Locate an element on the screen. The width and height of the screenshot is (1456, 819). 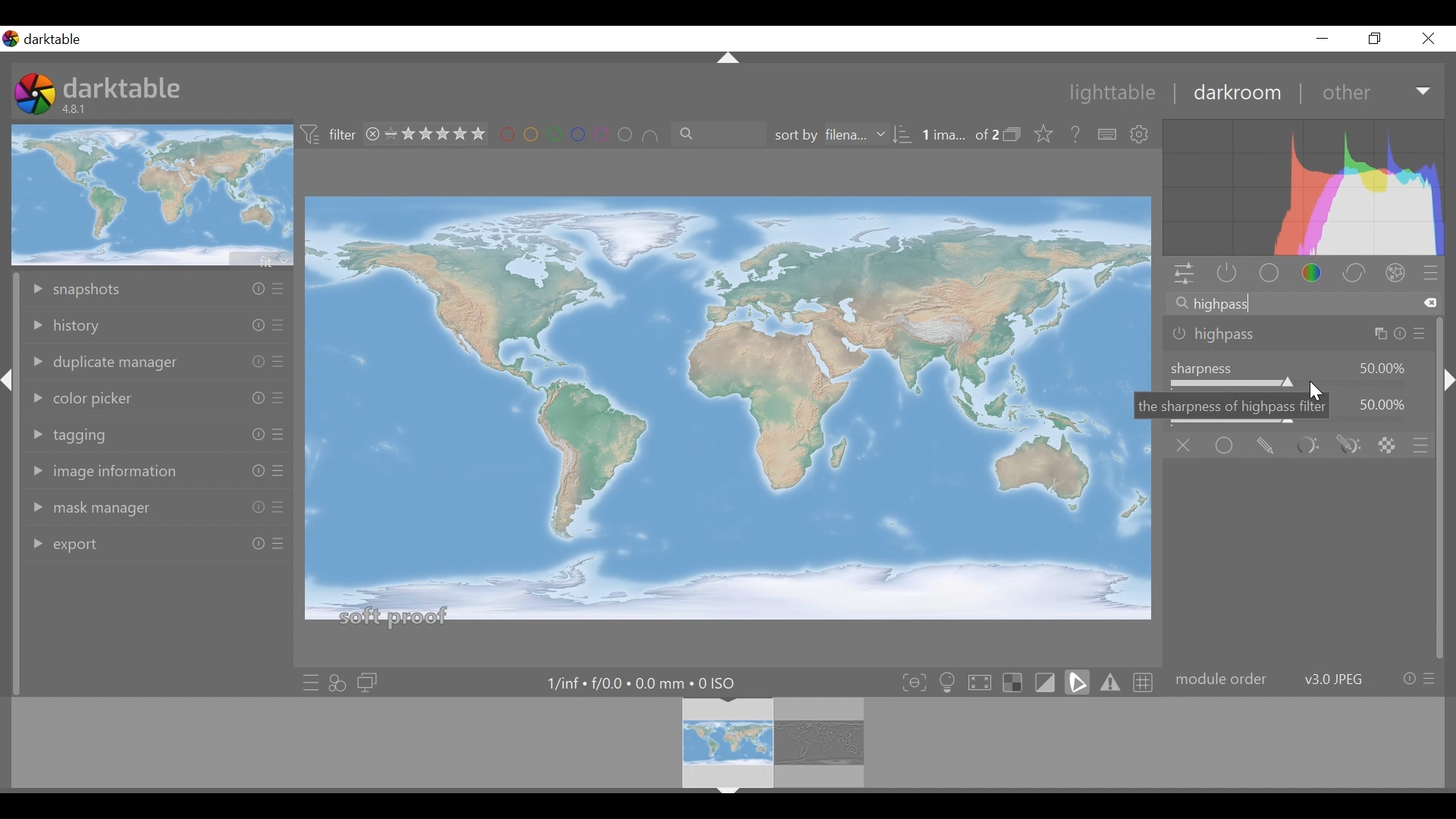
darktable is located at coordinates (128, 86).